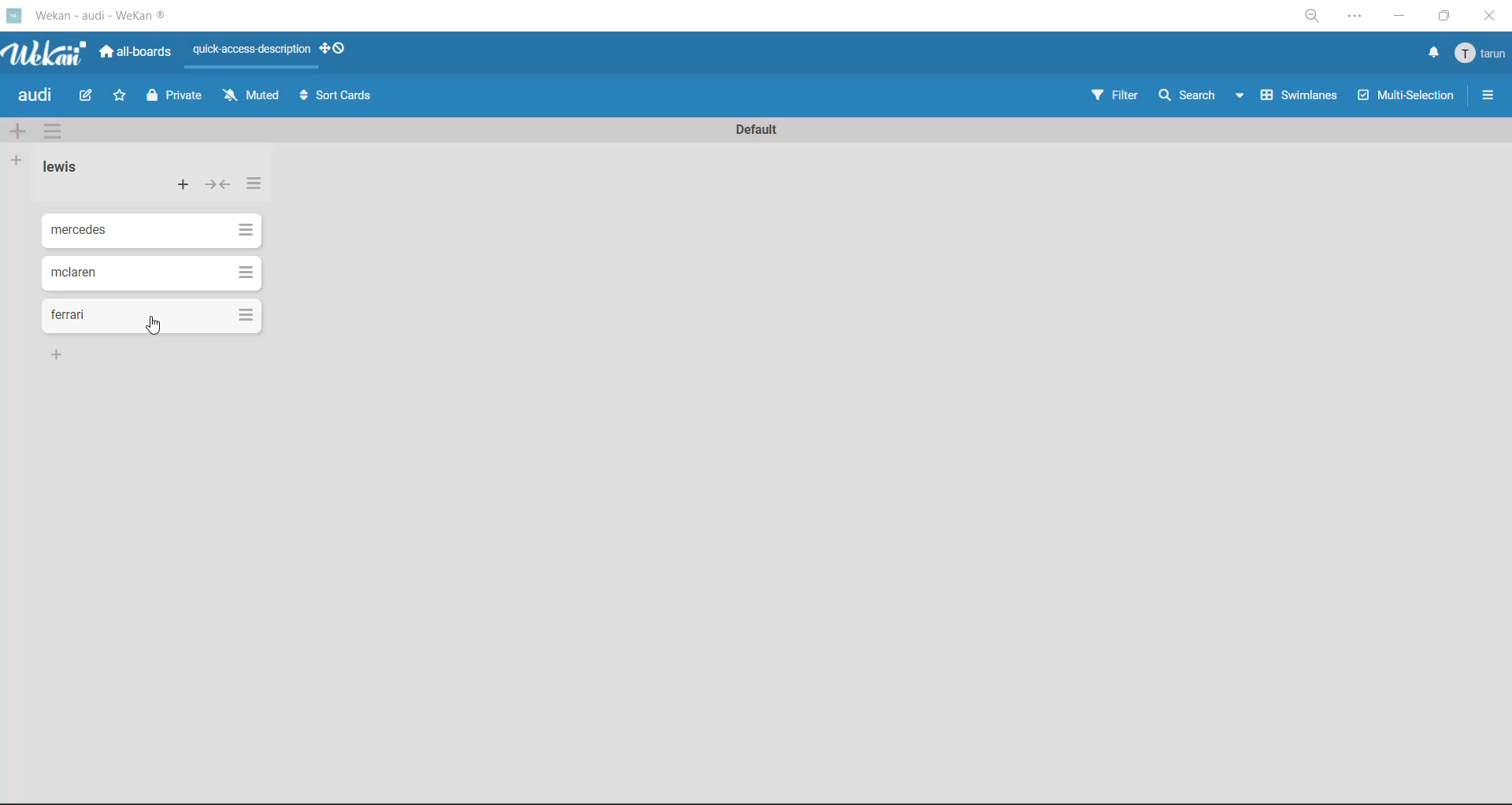 The height and width of the screenshot is (805, 1512). Describe the element at coordinates (184, 186) in the screenshot. I see `add card` at that location.